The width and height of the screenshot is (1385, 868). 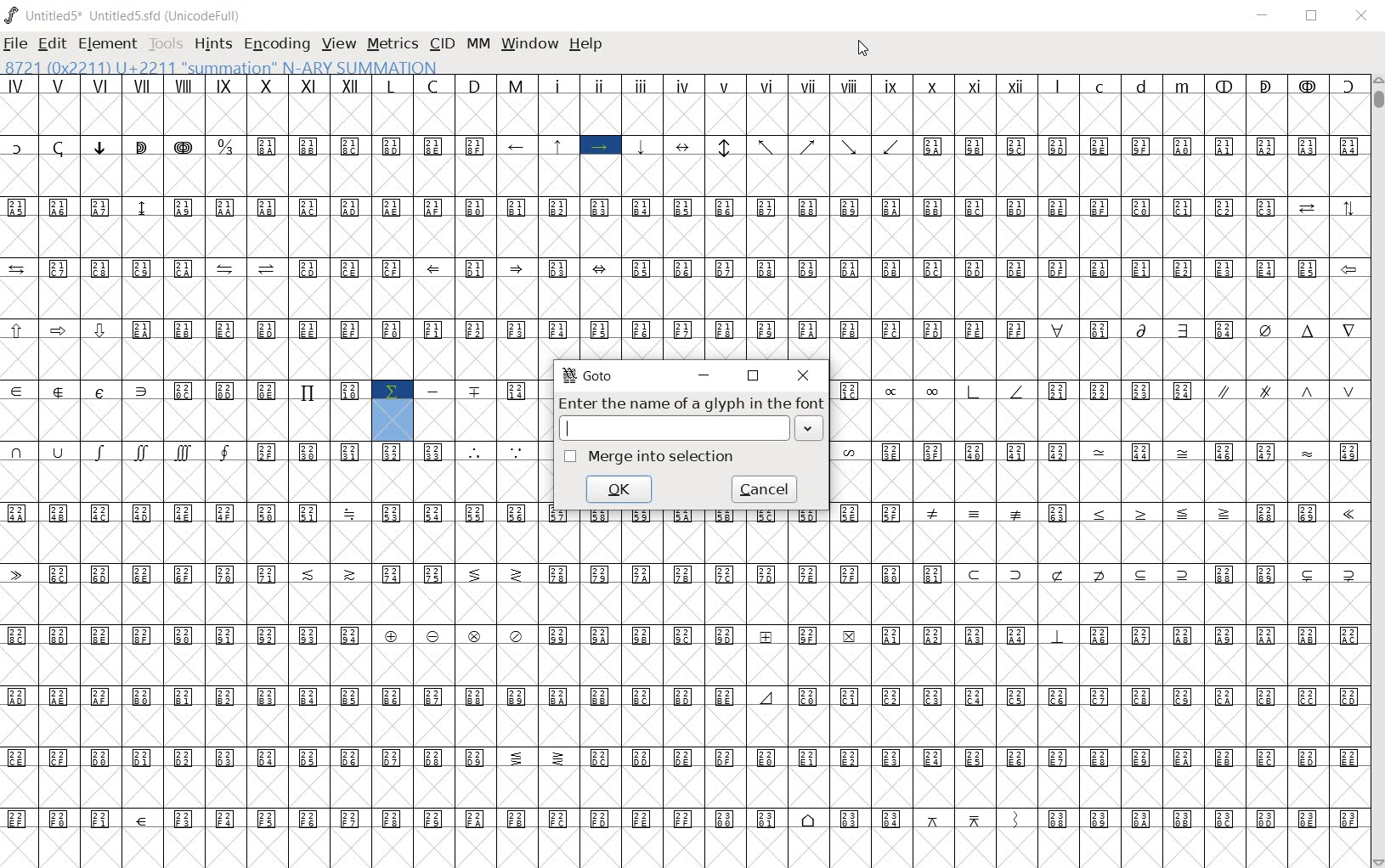 What do you see at coordinates (685, 848) in the screenshot?
I see `empty cells` at bounding box center [685, 848].